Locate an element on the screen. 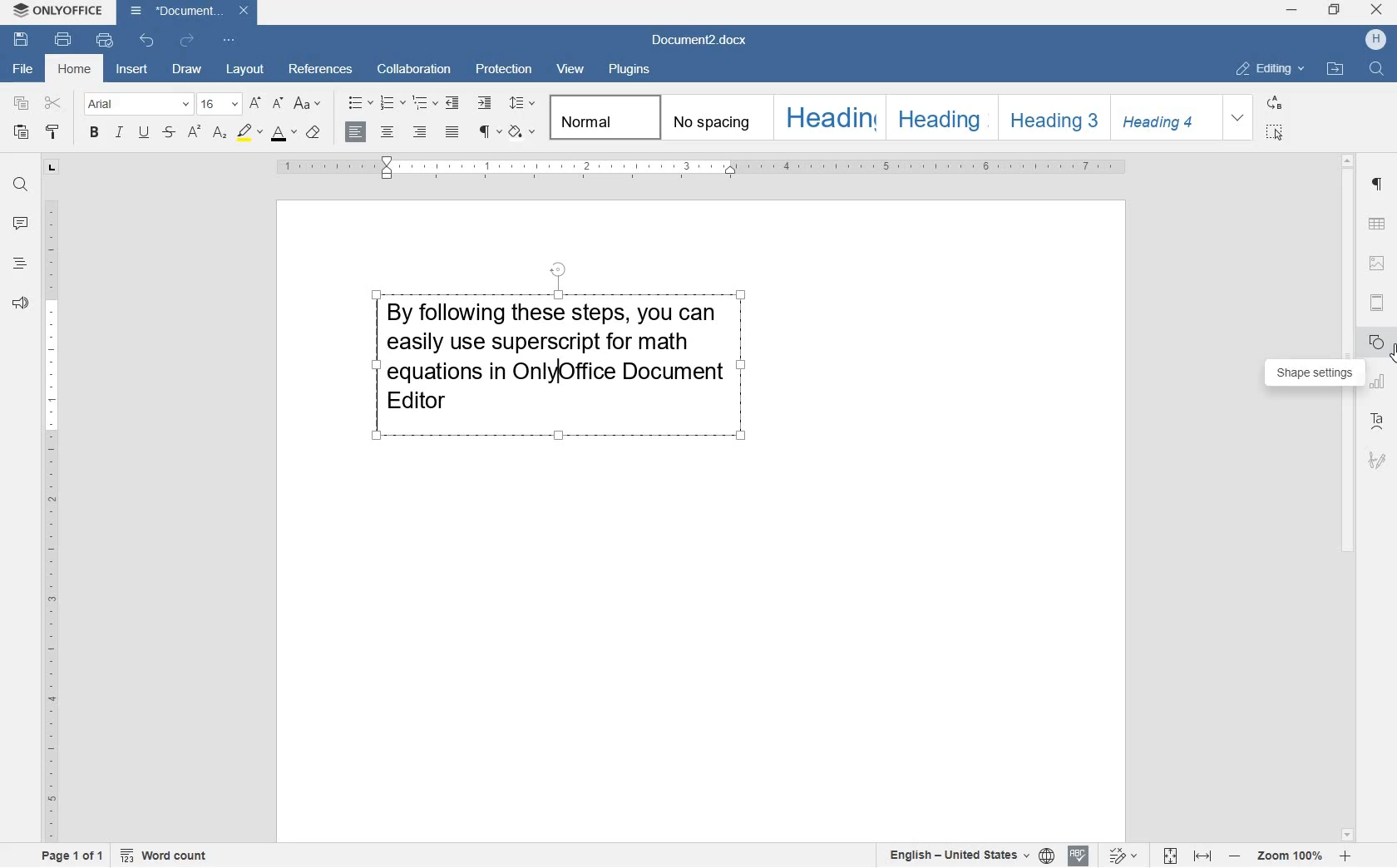 The image size is (1397, 868). font color is located at coordinates (283, 134).